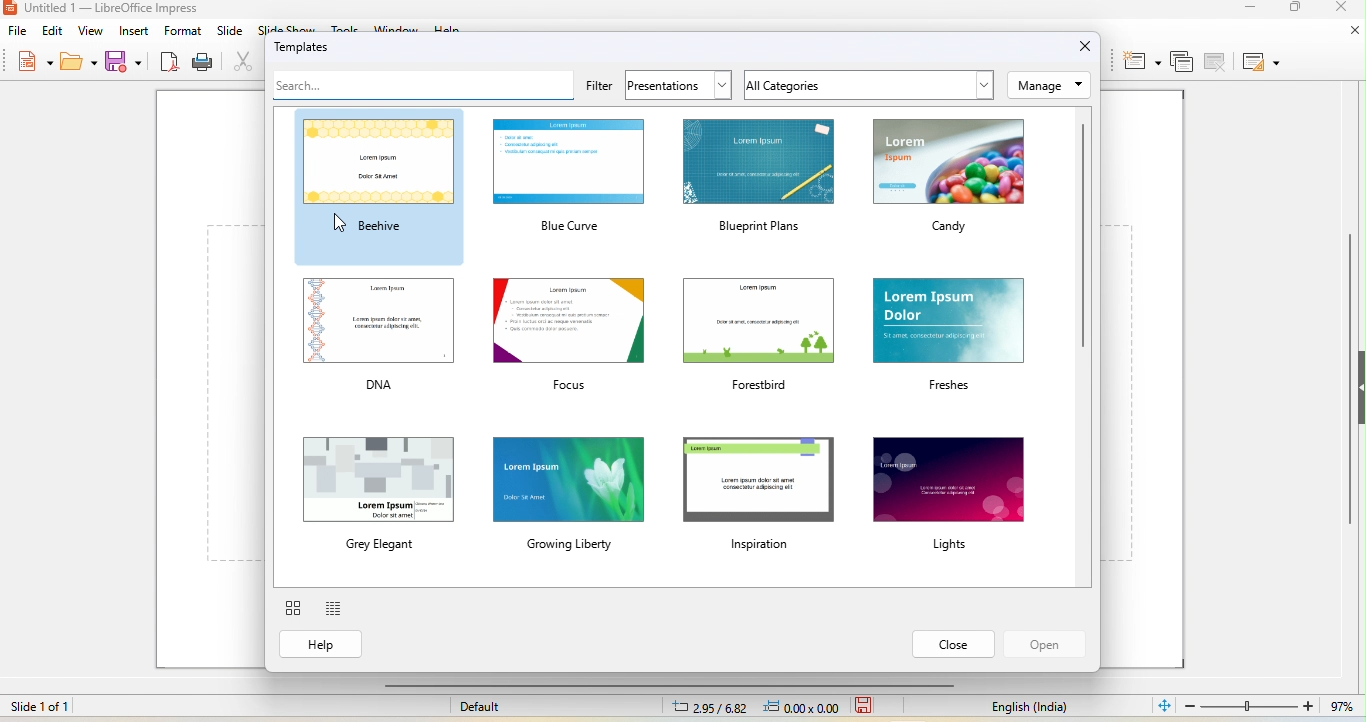 This screenshot has width=1366, height=722. Describe the element at coordinates (79, 60) in the screenshot. I see `open` at that location.